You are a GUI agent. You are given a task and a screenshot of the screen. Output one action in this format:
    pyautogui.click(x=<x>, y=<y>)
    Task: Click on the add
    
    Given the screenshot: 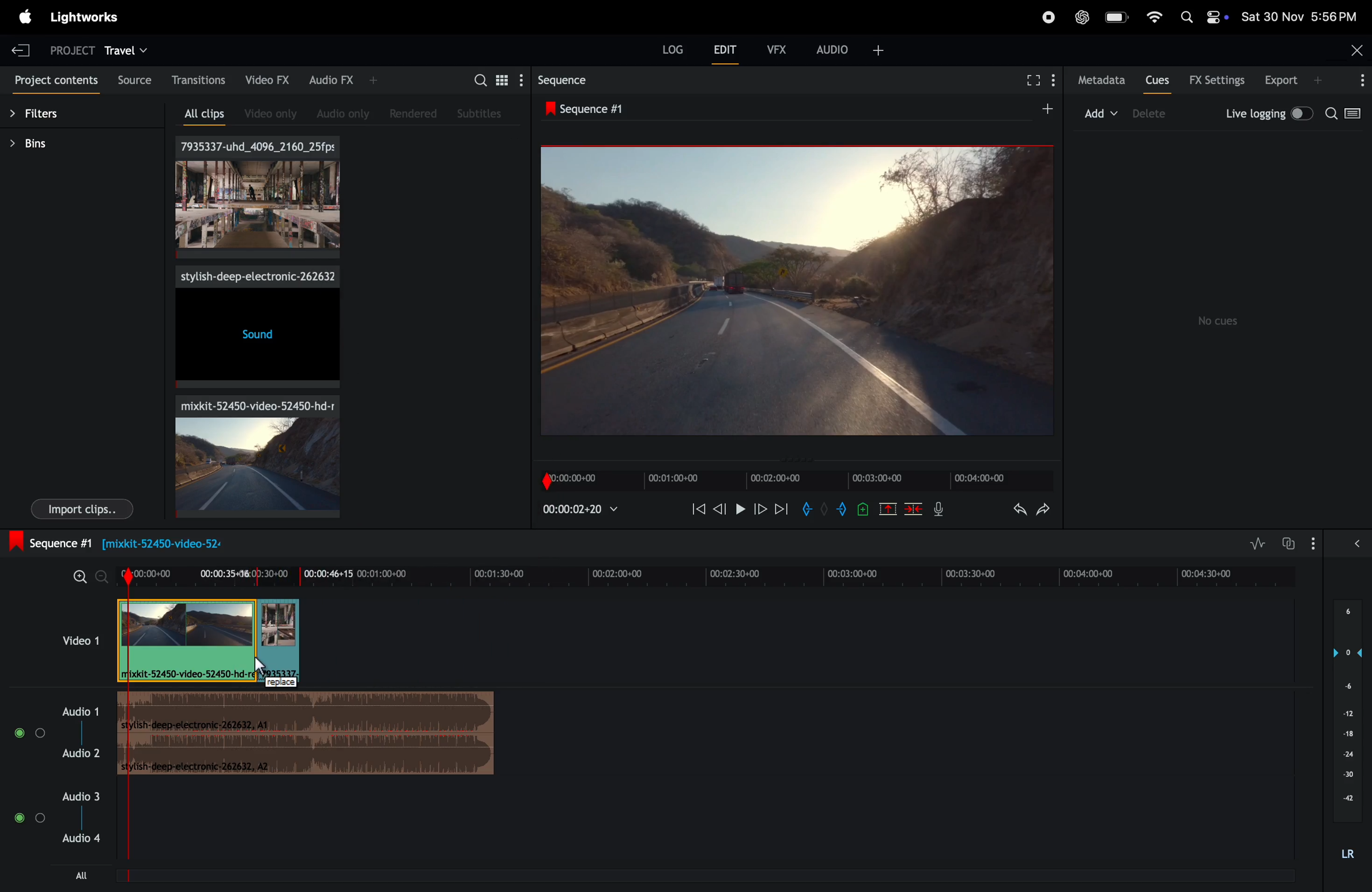 What is the action you would take?
    pyautogui.click(x=1099, y=112)
    